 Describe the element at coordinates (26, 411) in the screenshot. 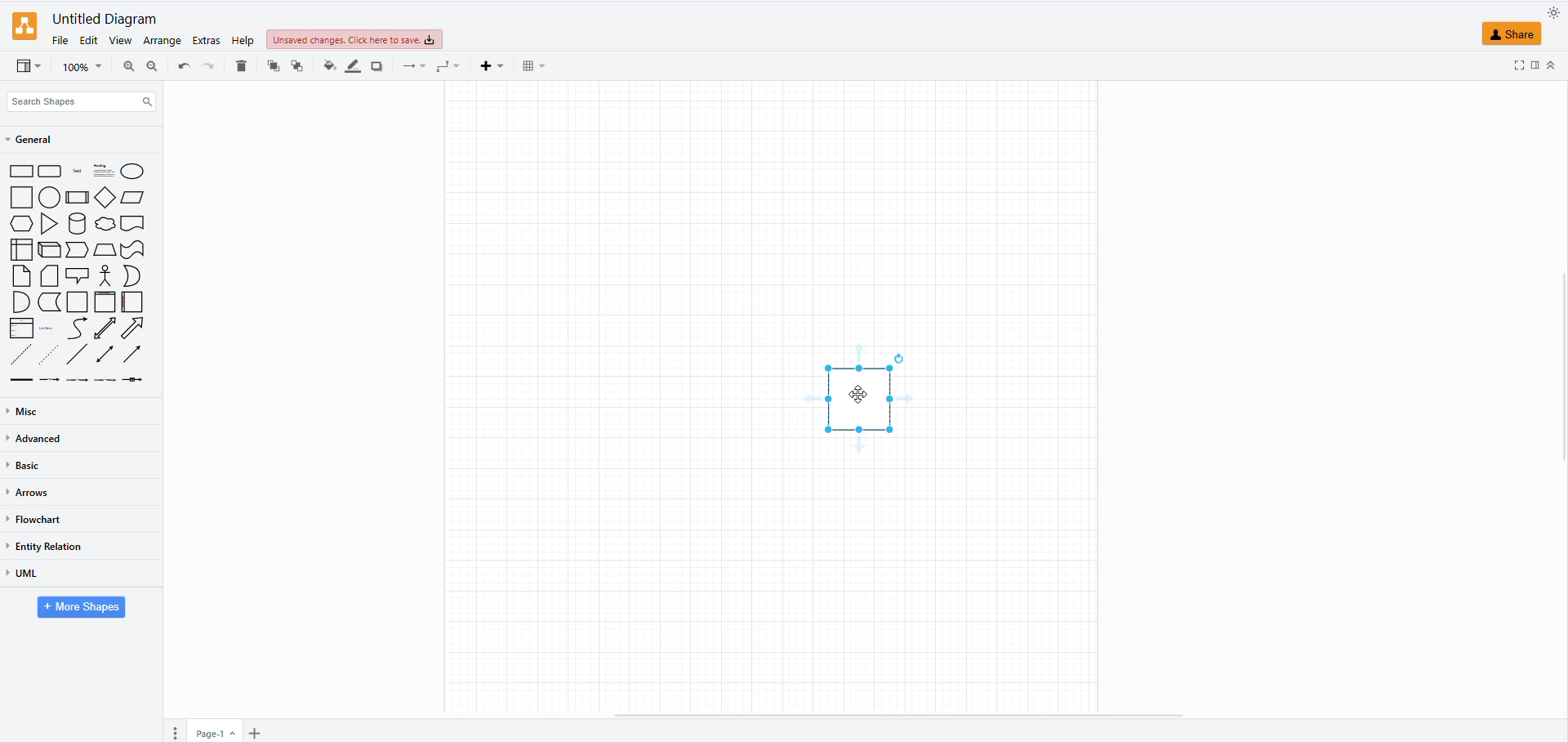

I see `misc` at that location.